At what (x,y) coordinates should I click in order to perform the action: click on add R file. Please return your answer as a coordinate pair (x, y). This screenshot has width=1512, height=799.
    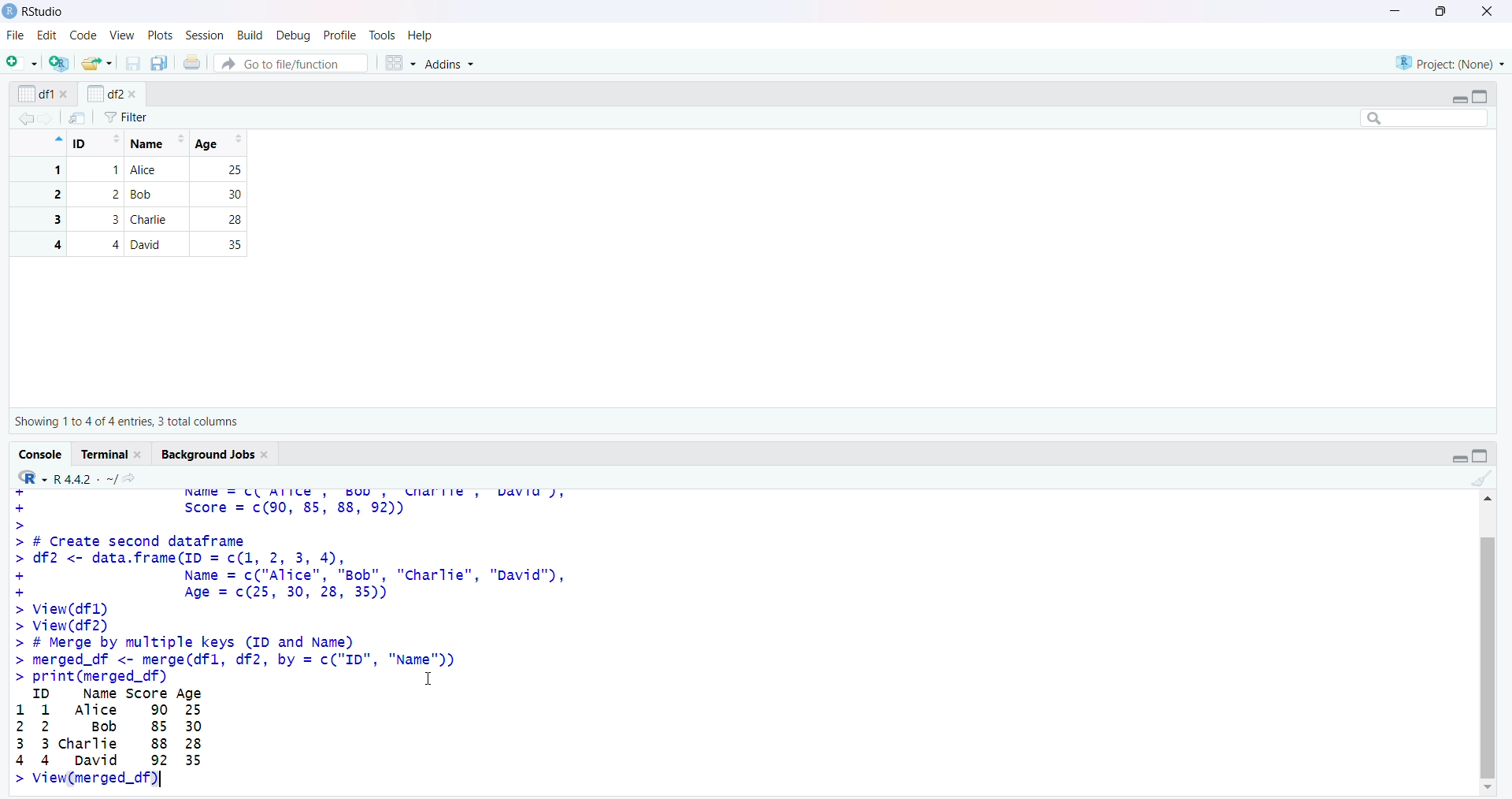
    Looking at the image, I should click on (60, 63).